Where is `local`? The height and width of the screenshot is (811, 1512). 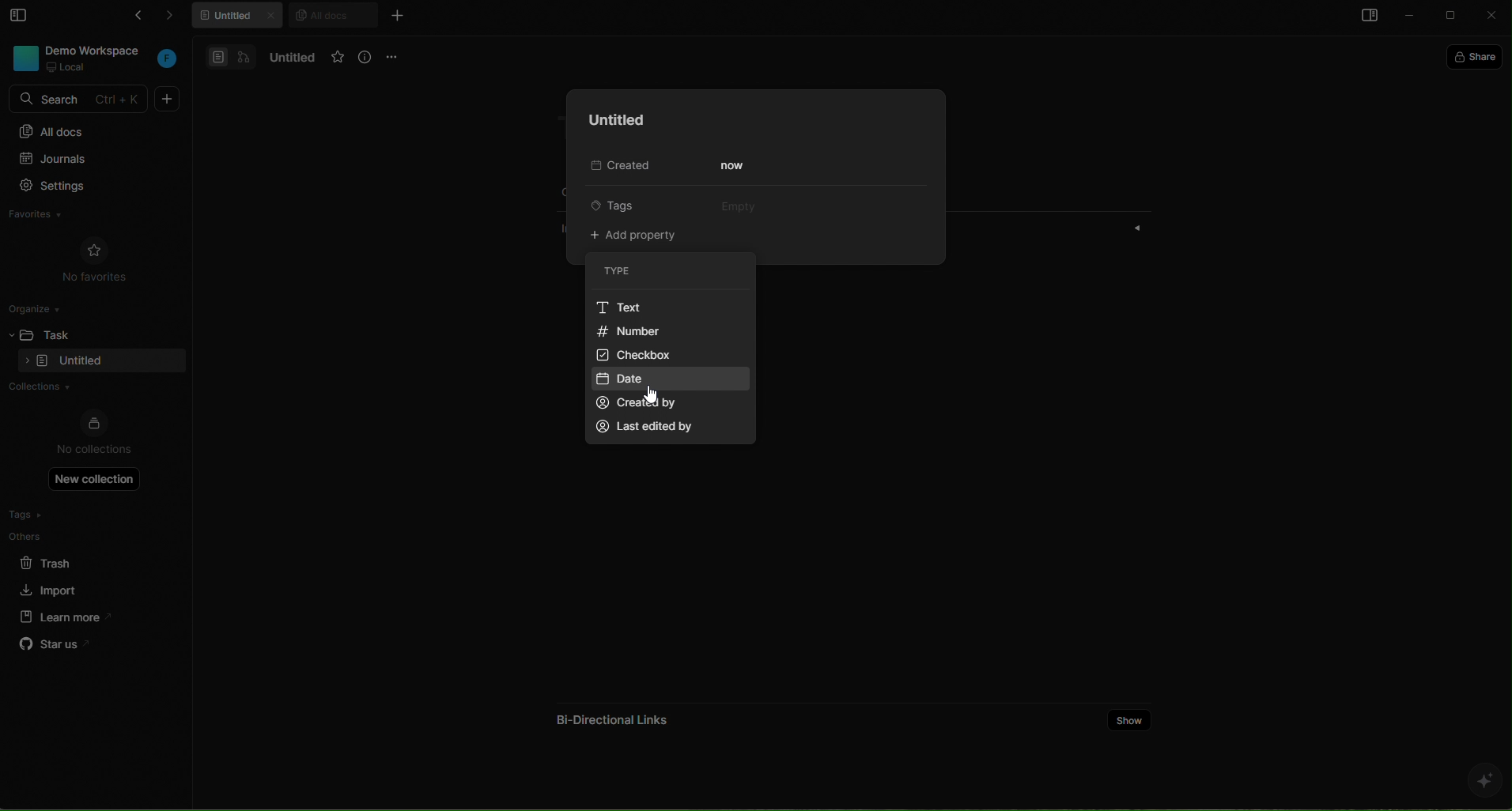
local is located at coordinates (68, 67).